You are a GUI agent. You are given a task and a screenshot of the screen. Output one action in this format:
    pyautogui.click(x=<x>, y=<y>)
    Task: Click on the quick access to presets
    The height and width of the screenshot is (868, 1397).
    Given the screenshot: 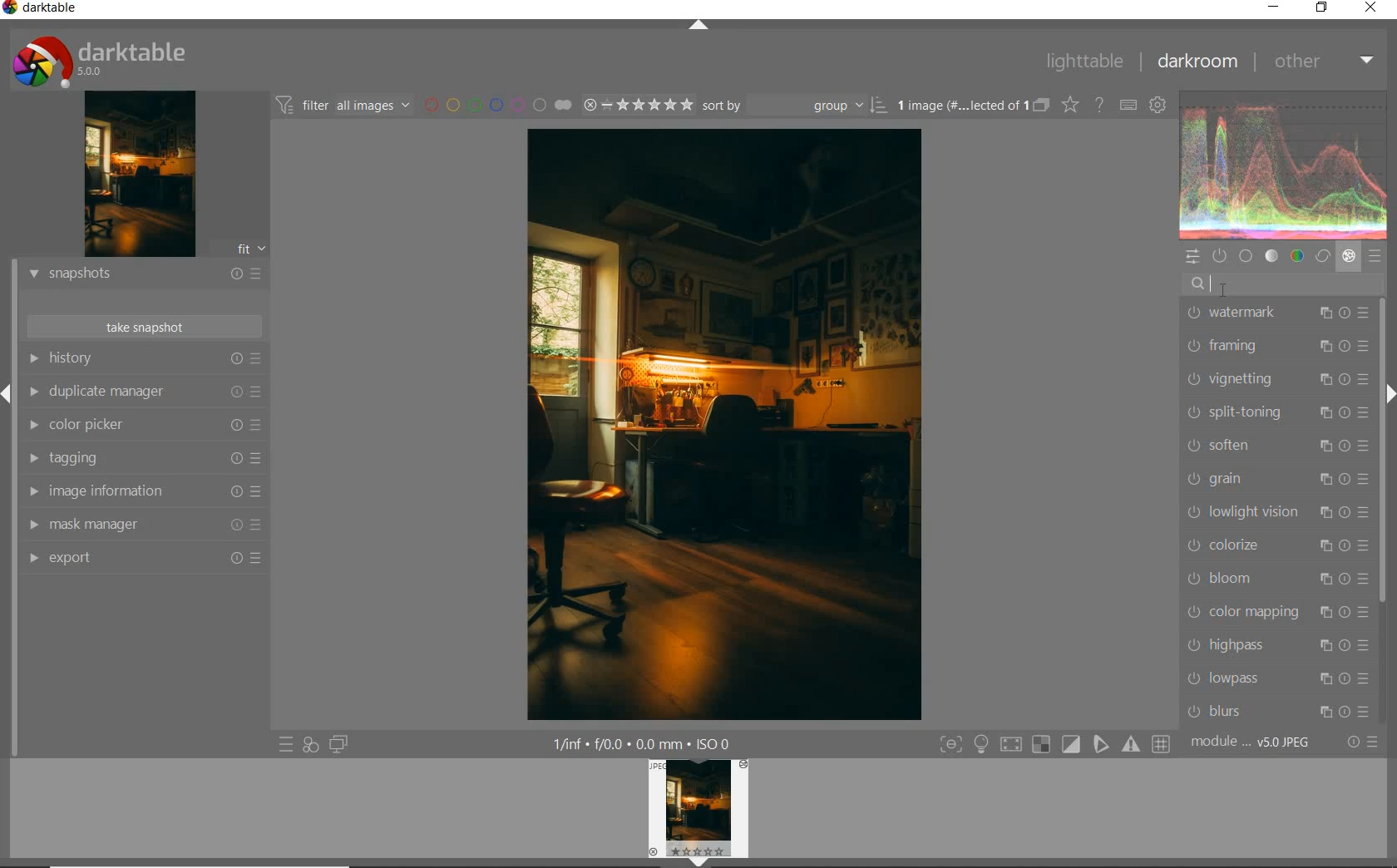 What is the action you would take?
    pyautogui.click(x=283, y=744)
    